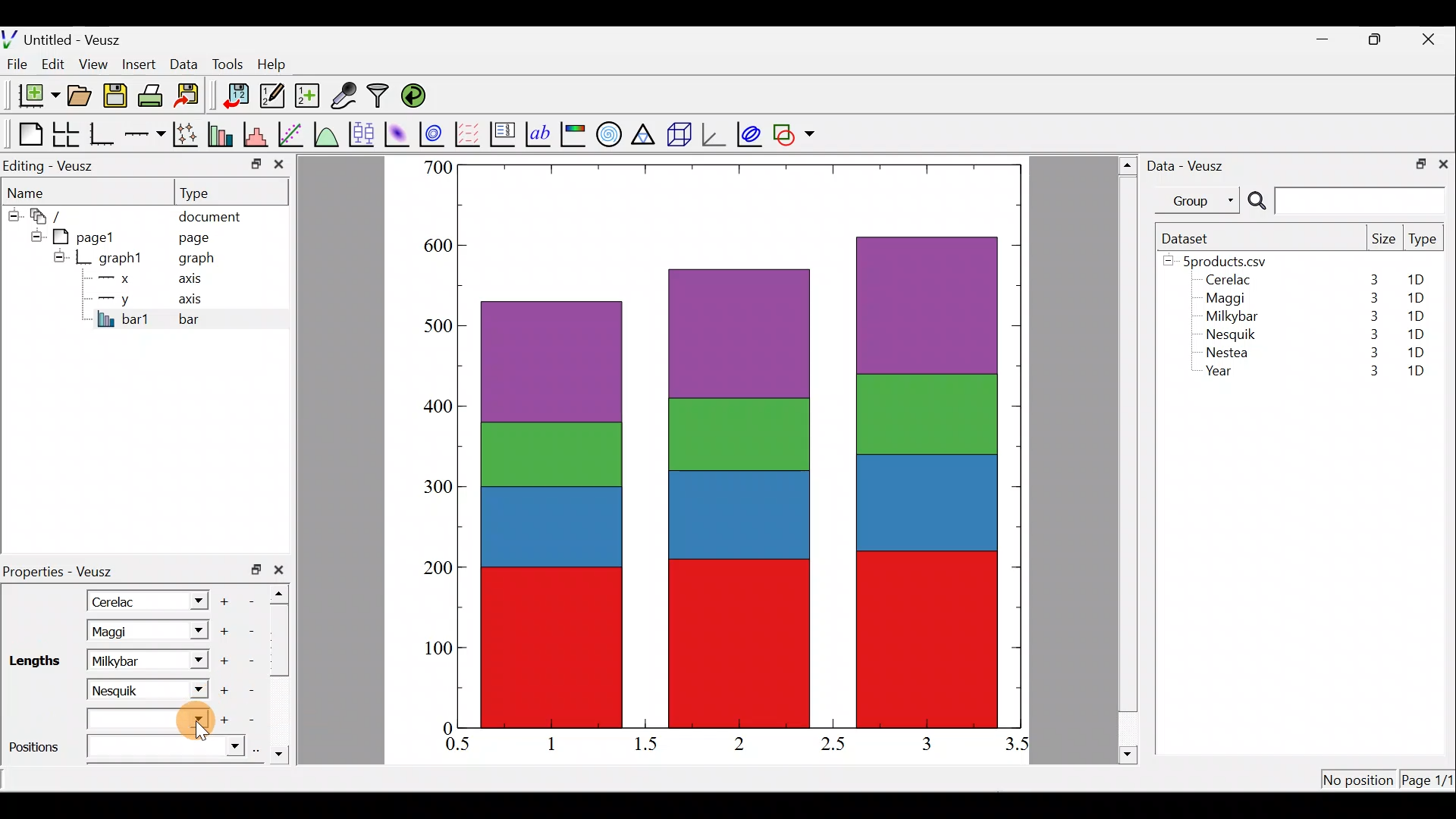 The image size is (1456, 819). I want to click on Length dropdown, so click(194, 631).